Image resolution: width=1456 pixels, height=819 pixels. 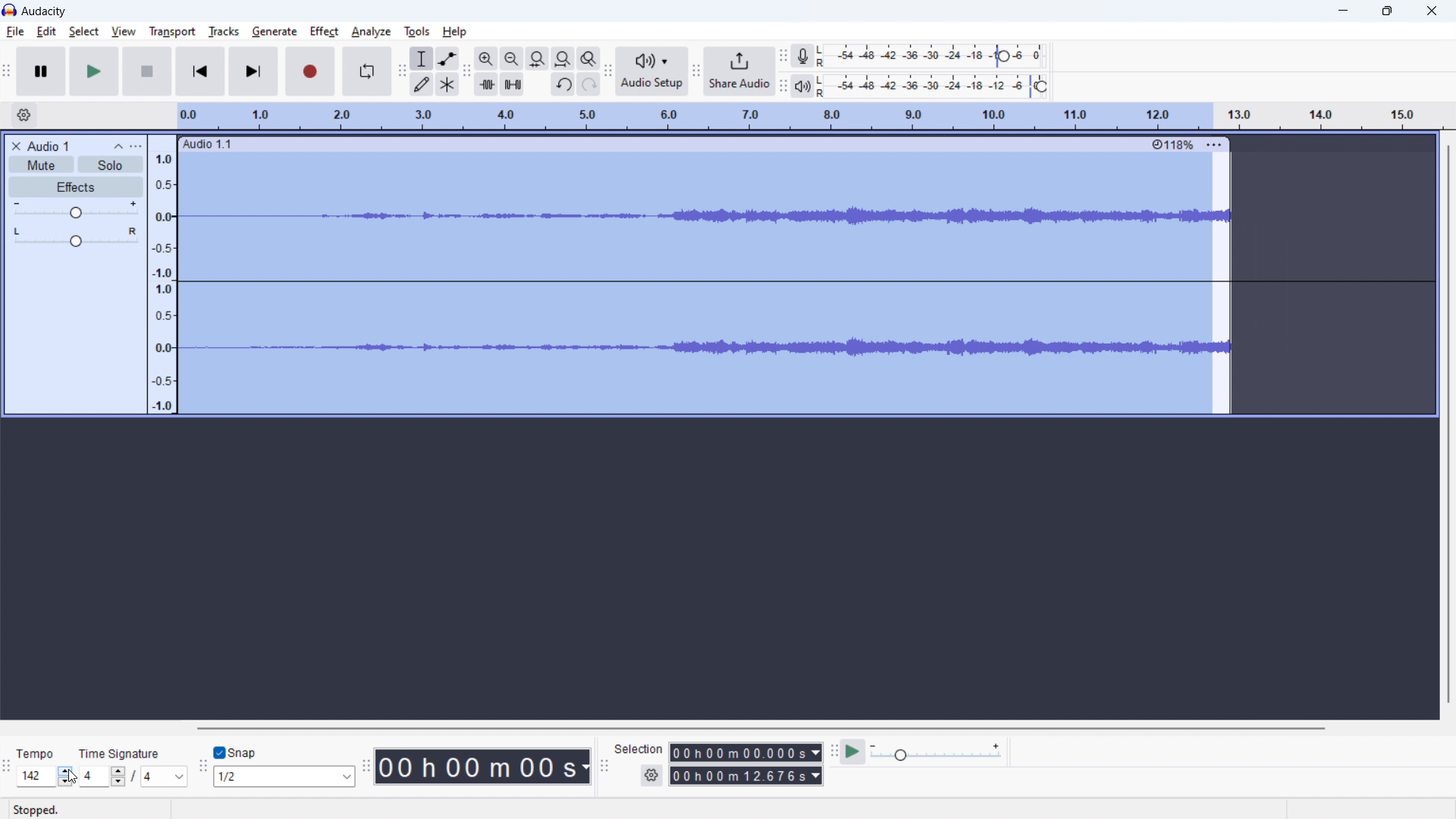 I want to click on timestamp, so click(x=487, y=767).